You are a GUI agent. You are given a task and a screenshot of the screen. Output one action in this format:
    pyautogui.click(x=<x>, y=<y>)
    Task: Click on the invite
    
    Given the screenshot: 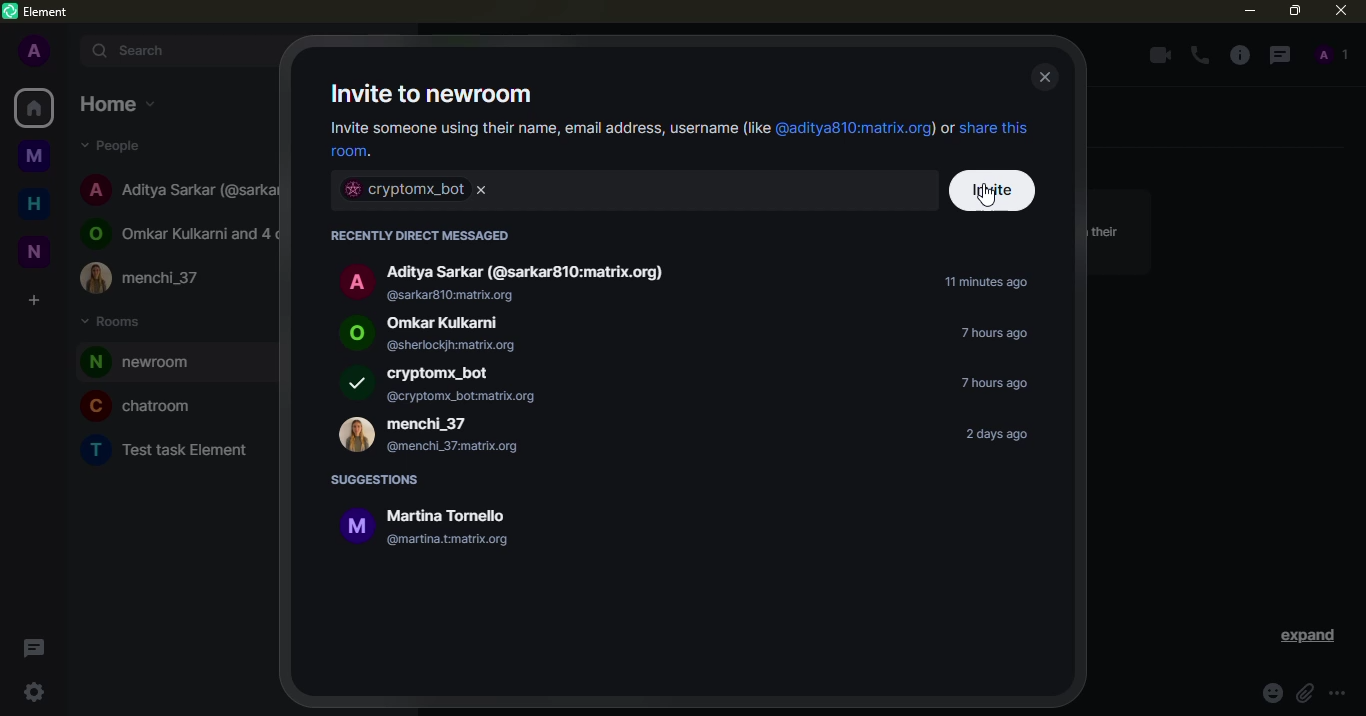 What is the action you would take?
    pyautogui.click(x=992, y=189)
    